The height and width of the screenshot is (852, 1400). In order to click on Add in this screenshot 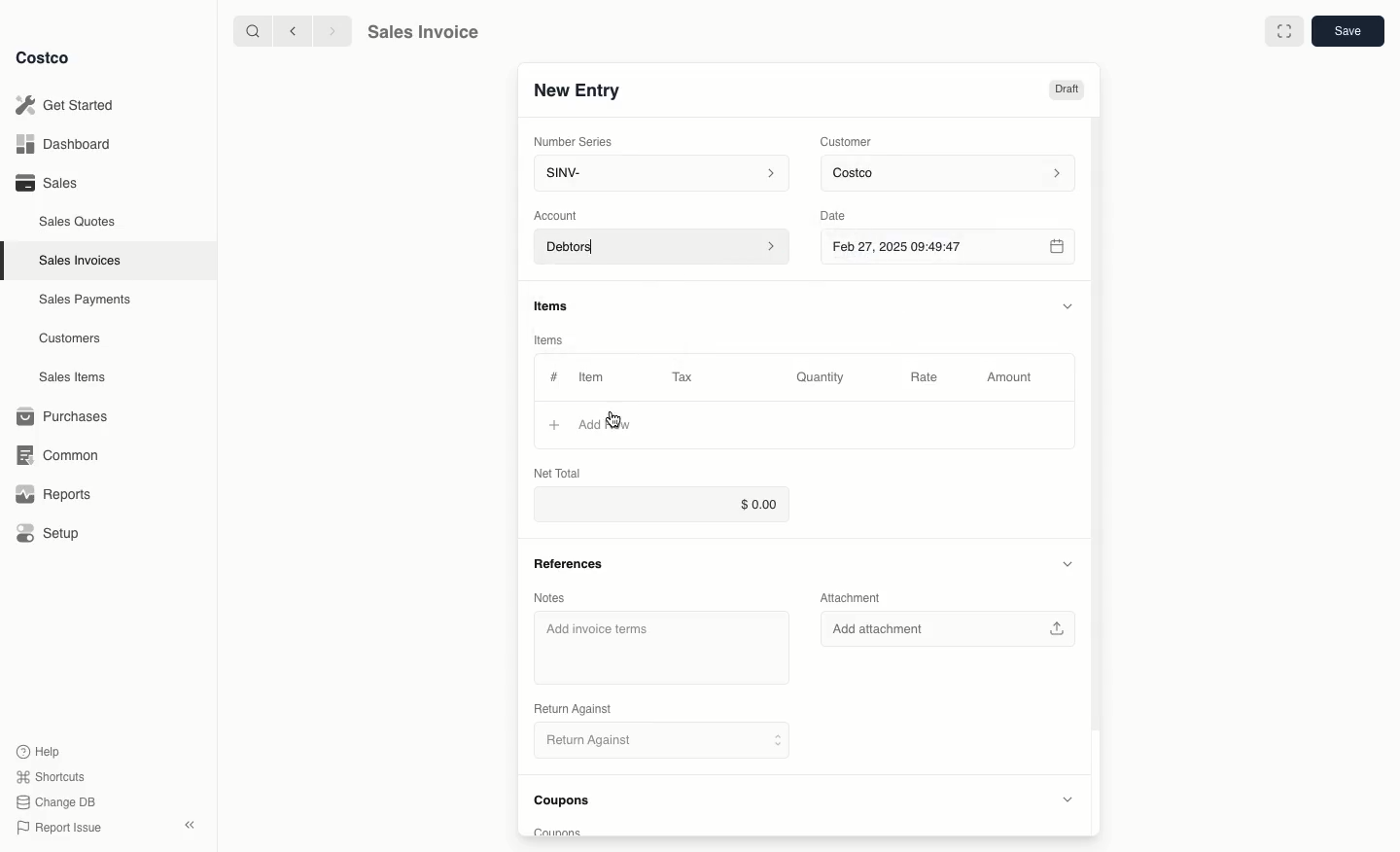, I will do `click(553, 424)`.